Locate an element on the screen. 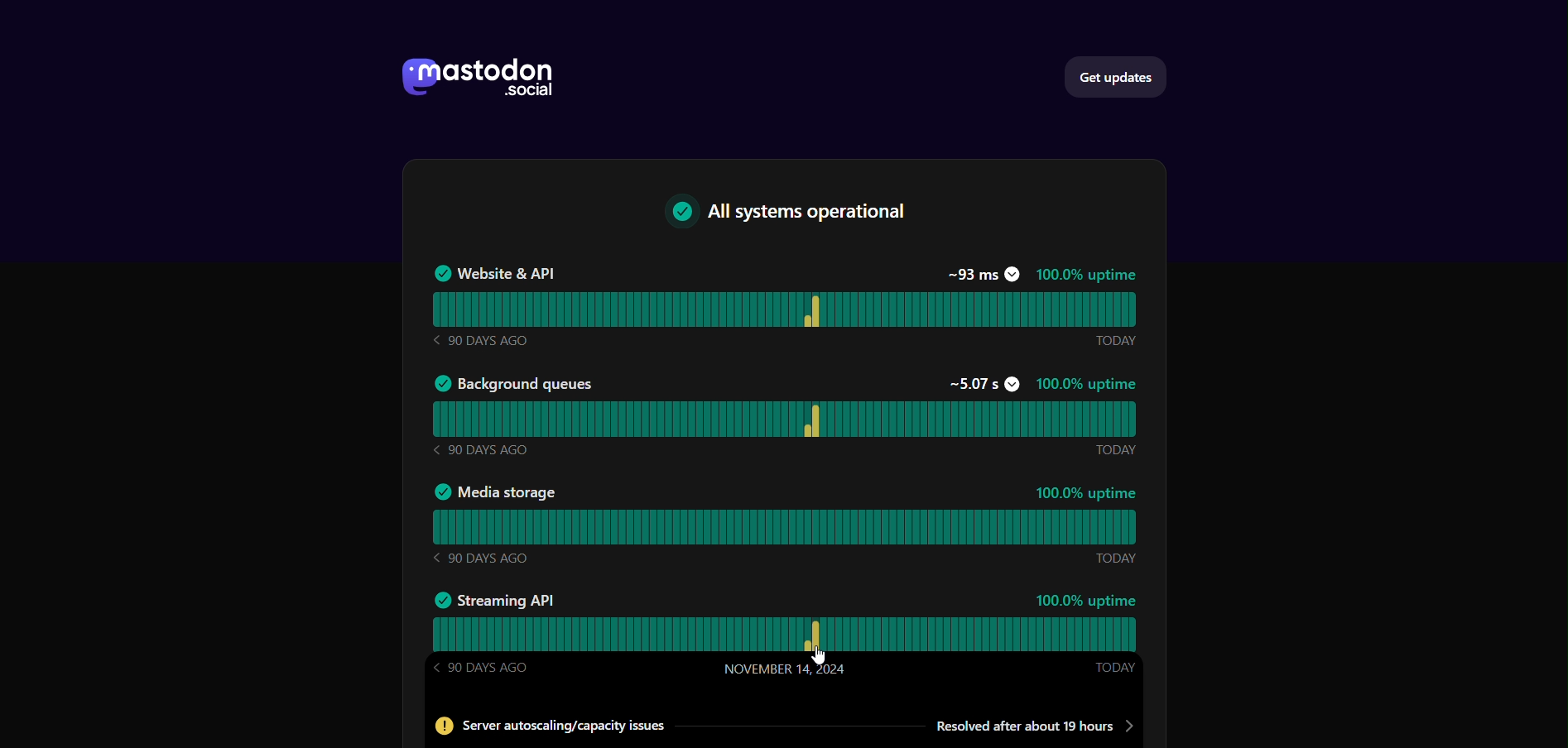  Today is located at coordinates (1116, 557).